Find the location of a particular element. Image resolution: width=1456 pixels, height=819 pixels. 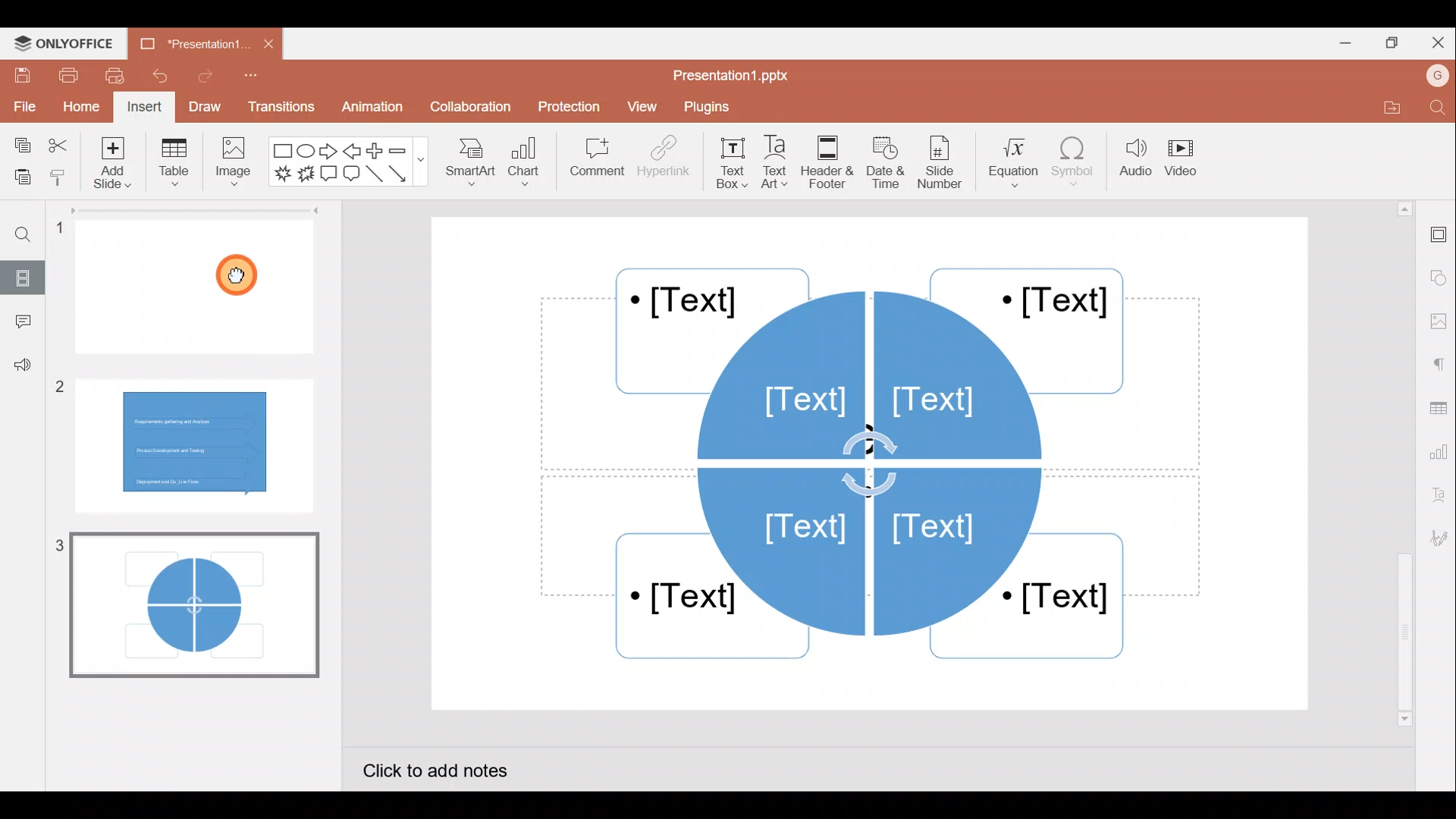

Date & time is located at coordinates (889, 162).